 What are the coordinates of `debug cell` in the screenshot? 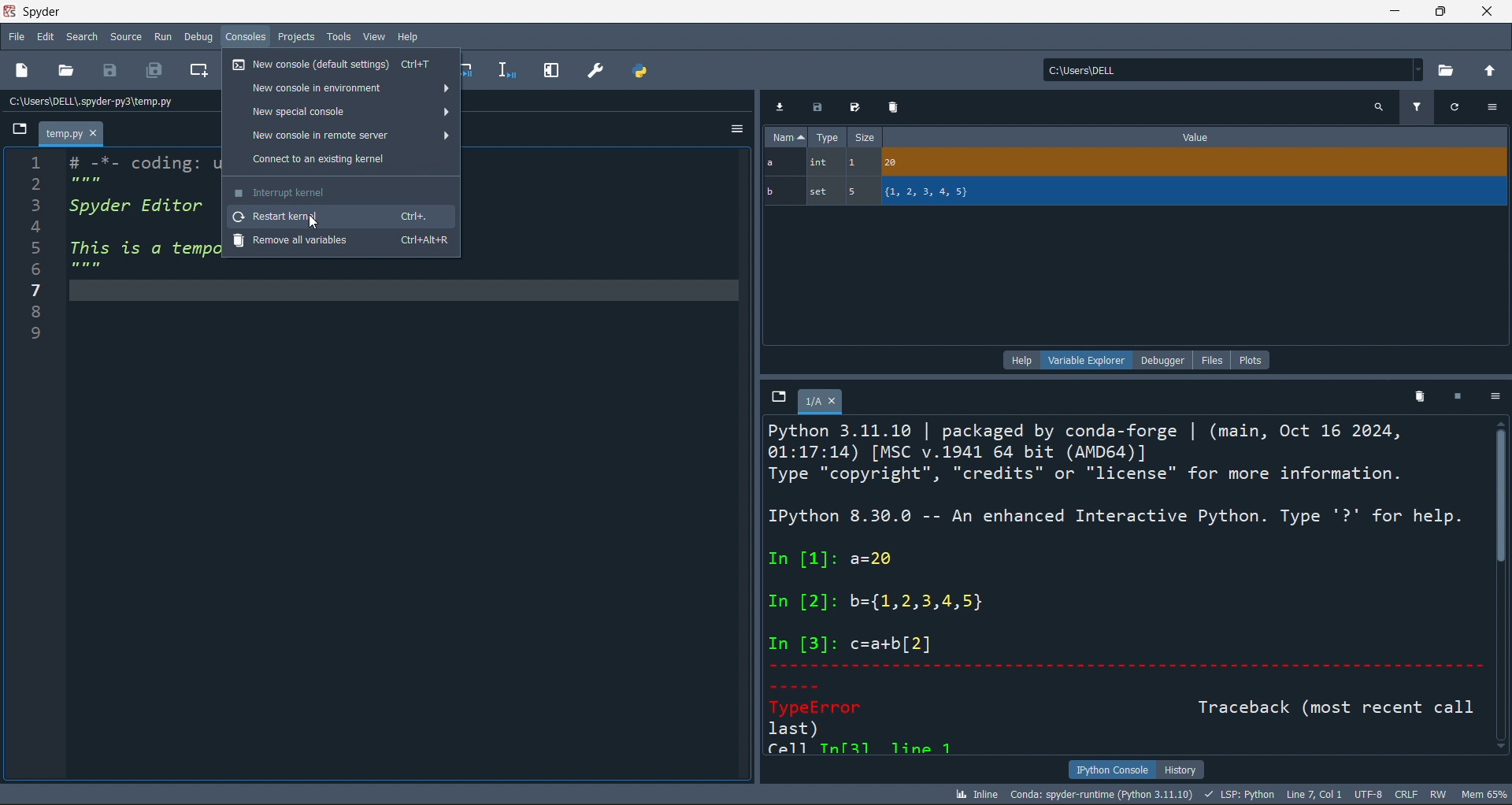 It's located at (472, 69).